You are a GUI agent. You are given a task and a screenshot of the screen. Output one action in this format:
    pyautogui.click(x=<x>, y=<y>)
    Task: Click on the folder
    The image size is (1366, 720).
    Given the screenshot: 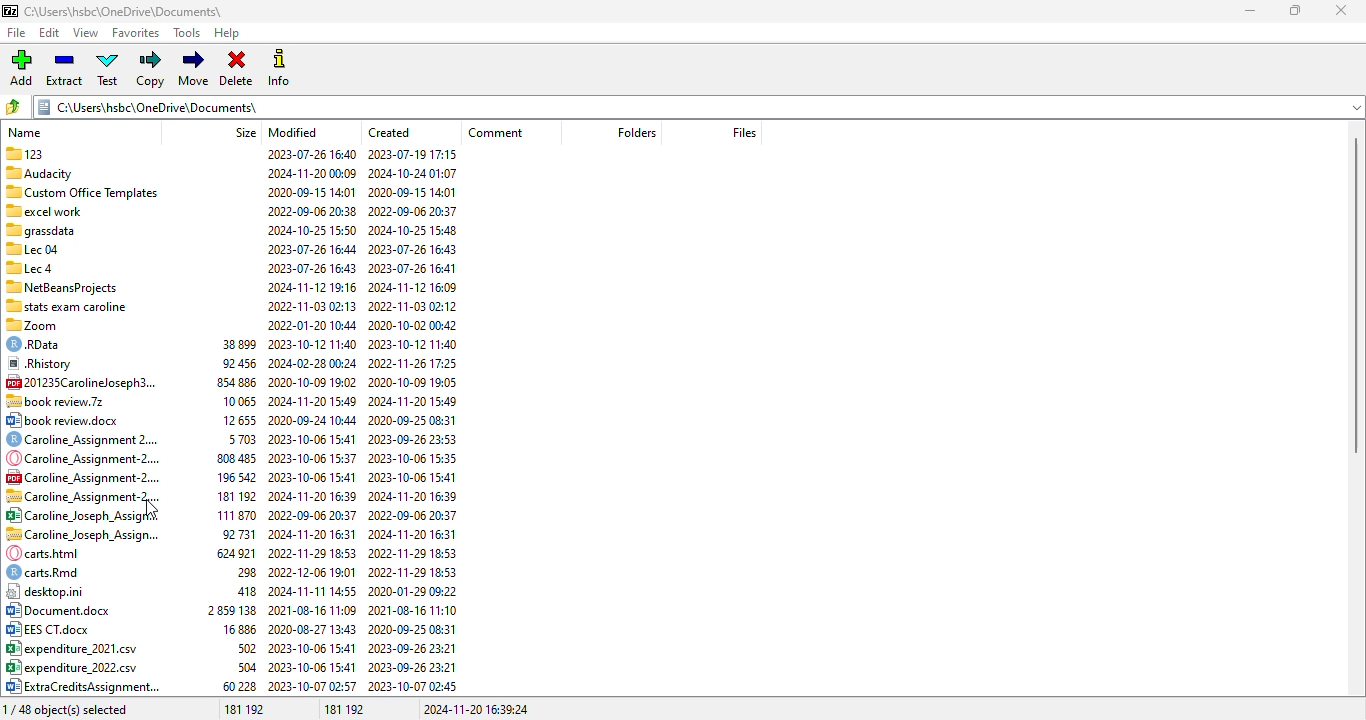 What is the action you would take?
    pyautogui.click(x=696, y=107)
    